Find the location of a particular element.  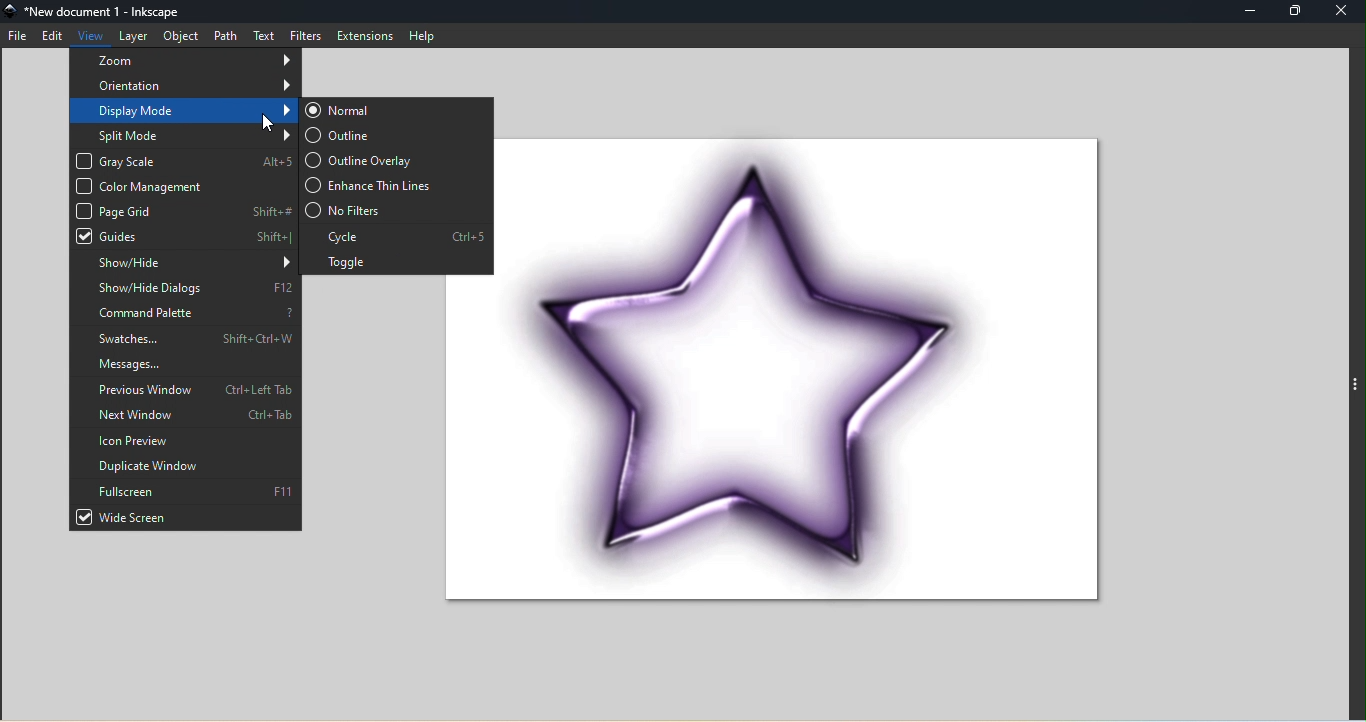

Page grid is located at coordinates (183, 210).